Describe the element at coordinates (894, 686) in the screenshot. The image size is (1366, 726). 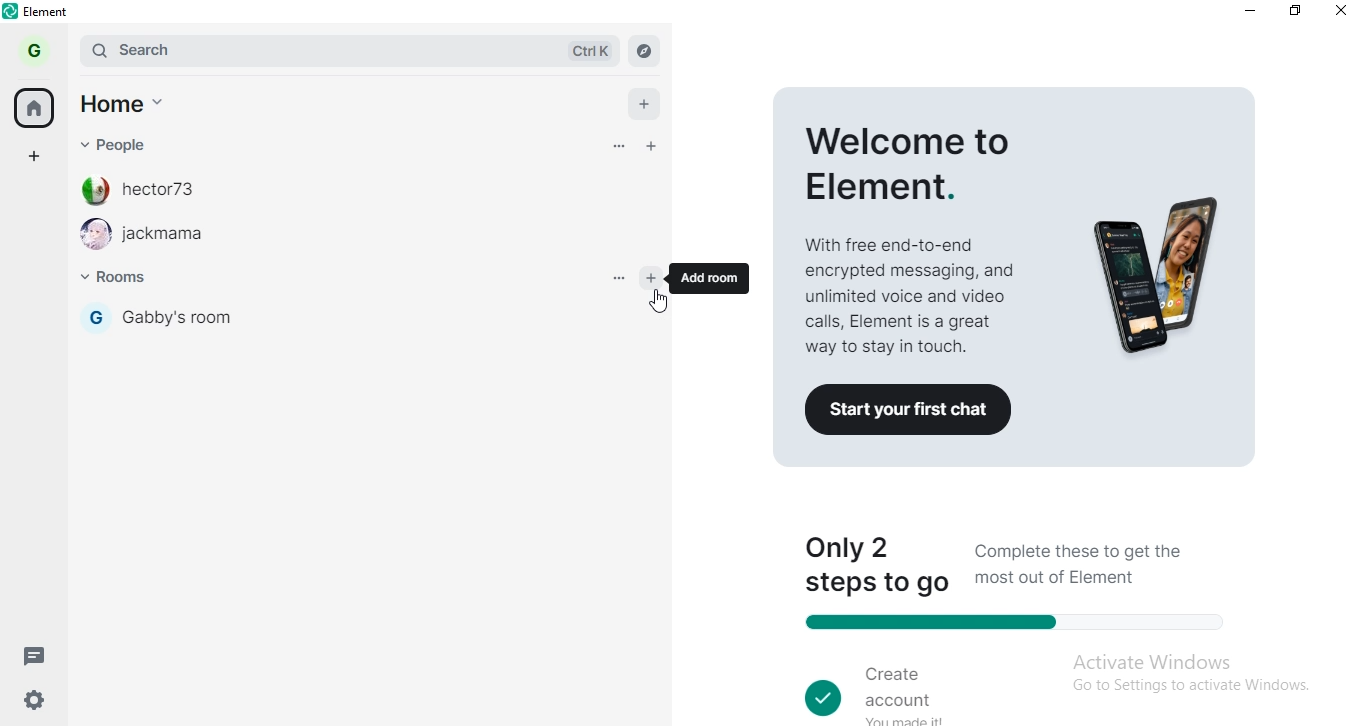
I see `create account` at that location.